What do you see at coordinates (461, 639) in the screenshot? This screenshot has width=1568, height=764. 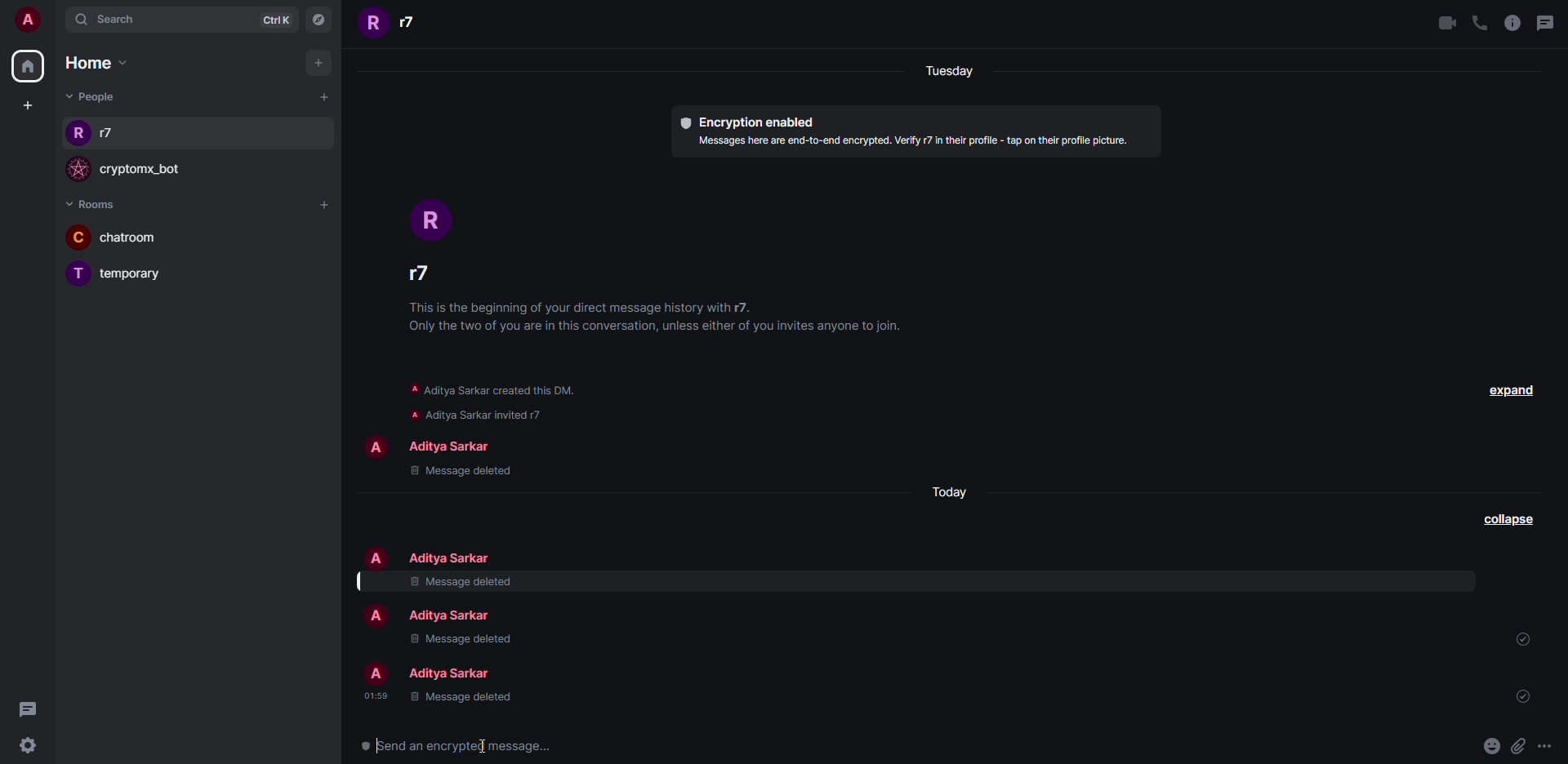 I see `message deleted` at bounding box center [461, 639].